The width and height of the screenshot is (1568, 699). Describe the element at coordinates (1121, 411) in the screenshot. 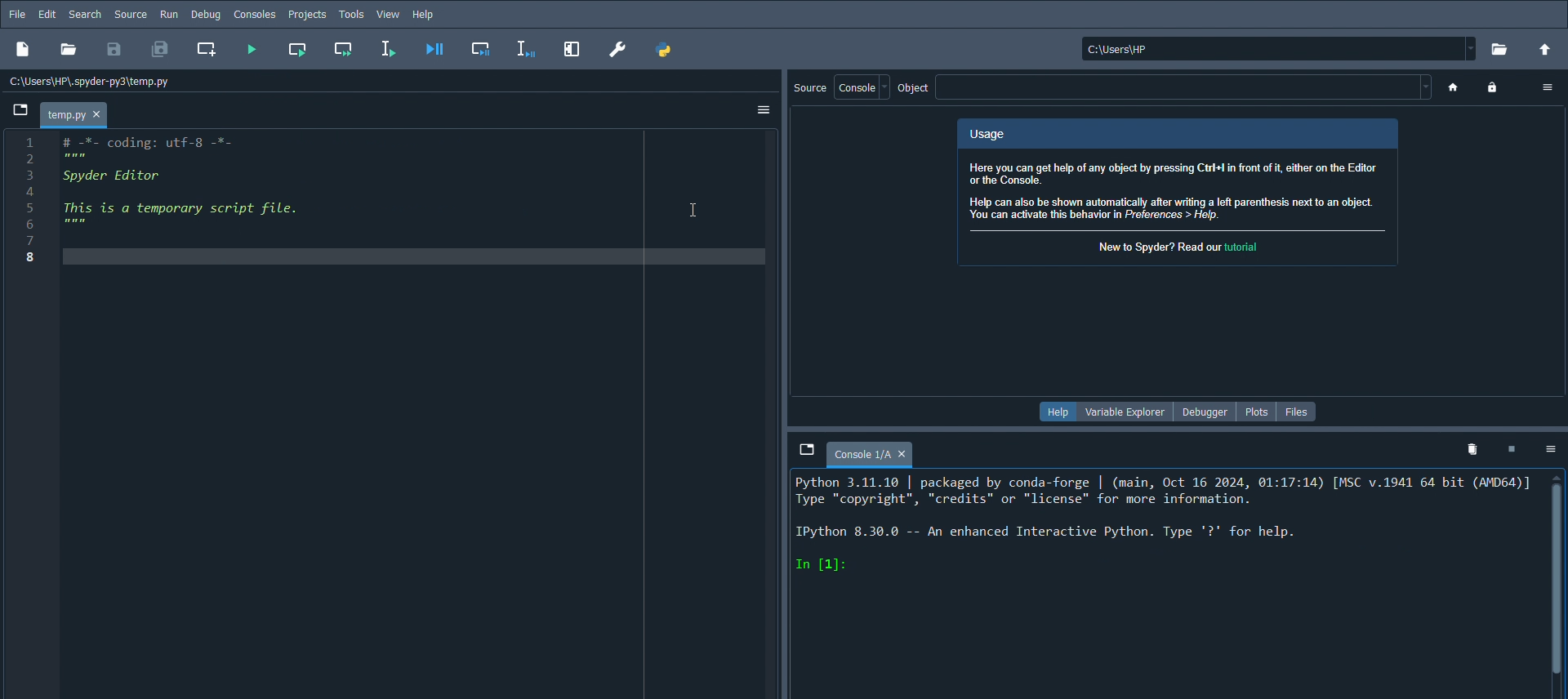

I see `Variable Explorer` at that location.